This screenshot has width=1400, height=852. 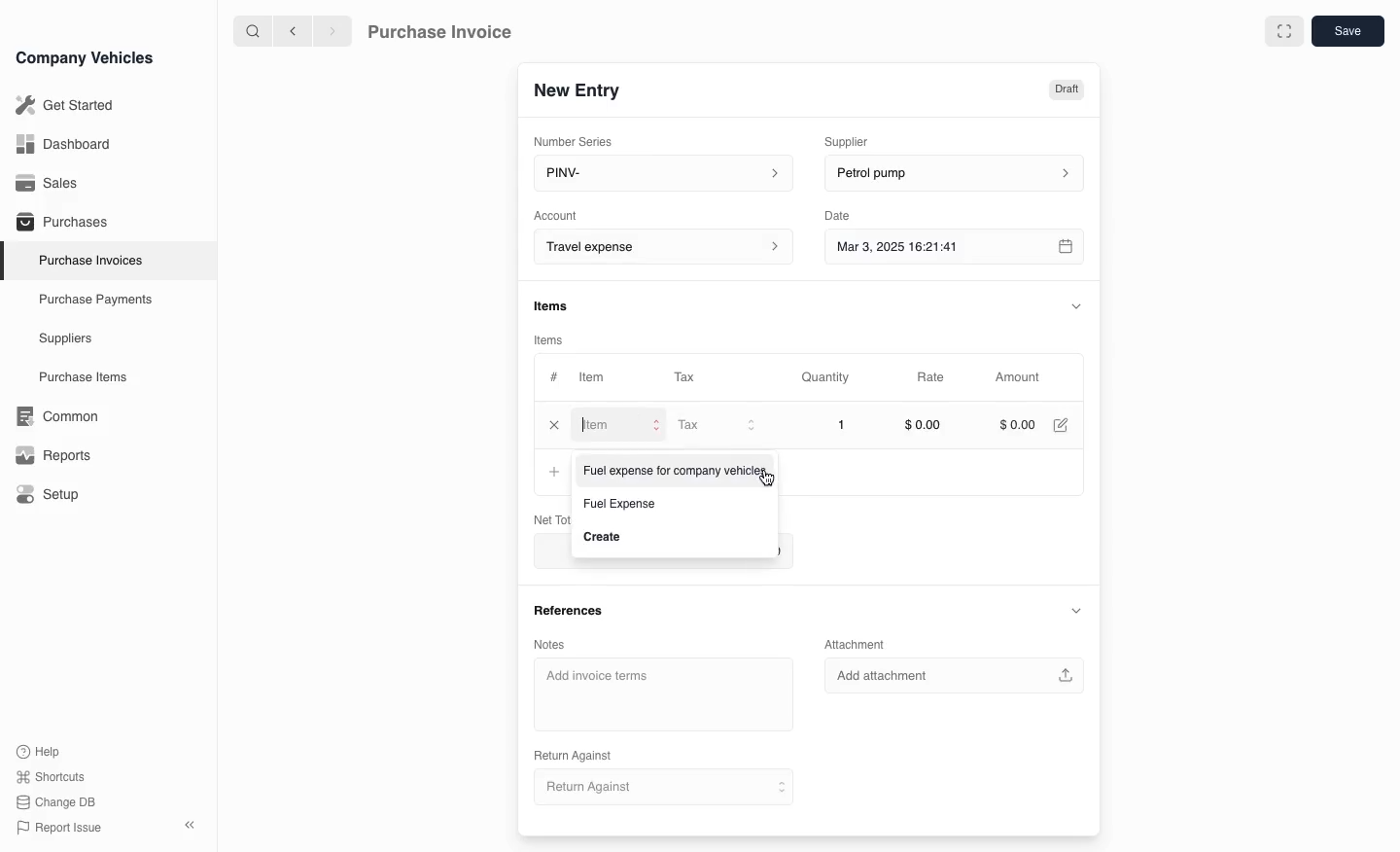 What do you see at coordinates (857, 644) in the screenshot?
I see `Attachment` at bounding box center [857, 644].